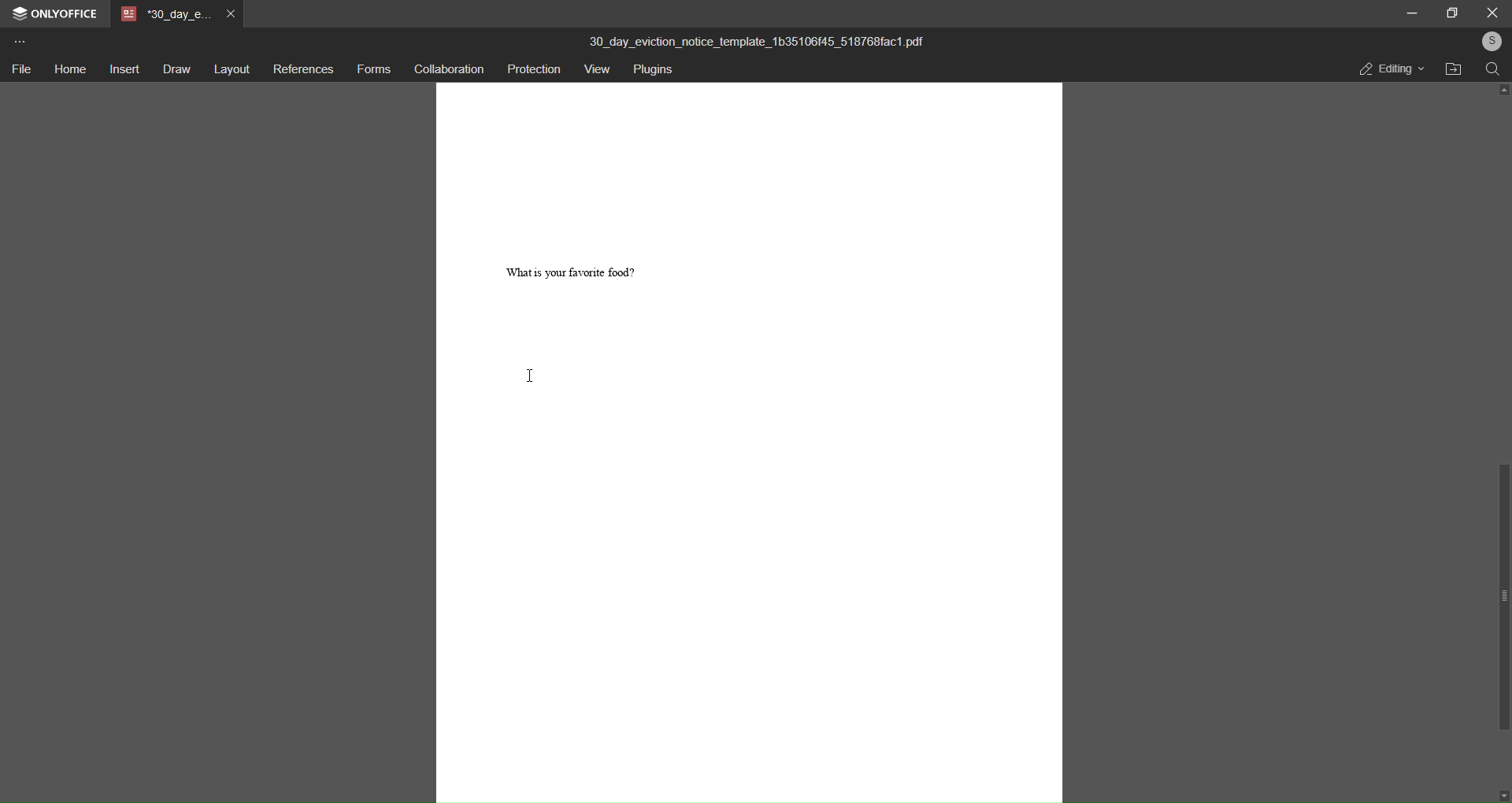 Image resolution: width=1512 pixels, height=803 pixels. I want to click on search, so click(1493, 70).